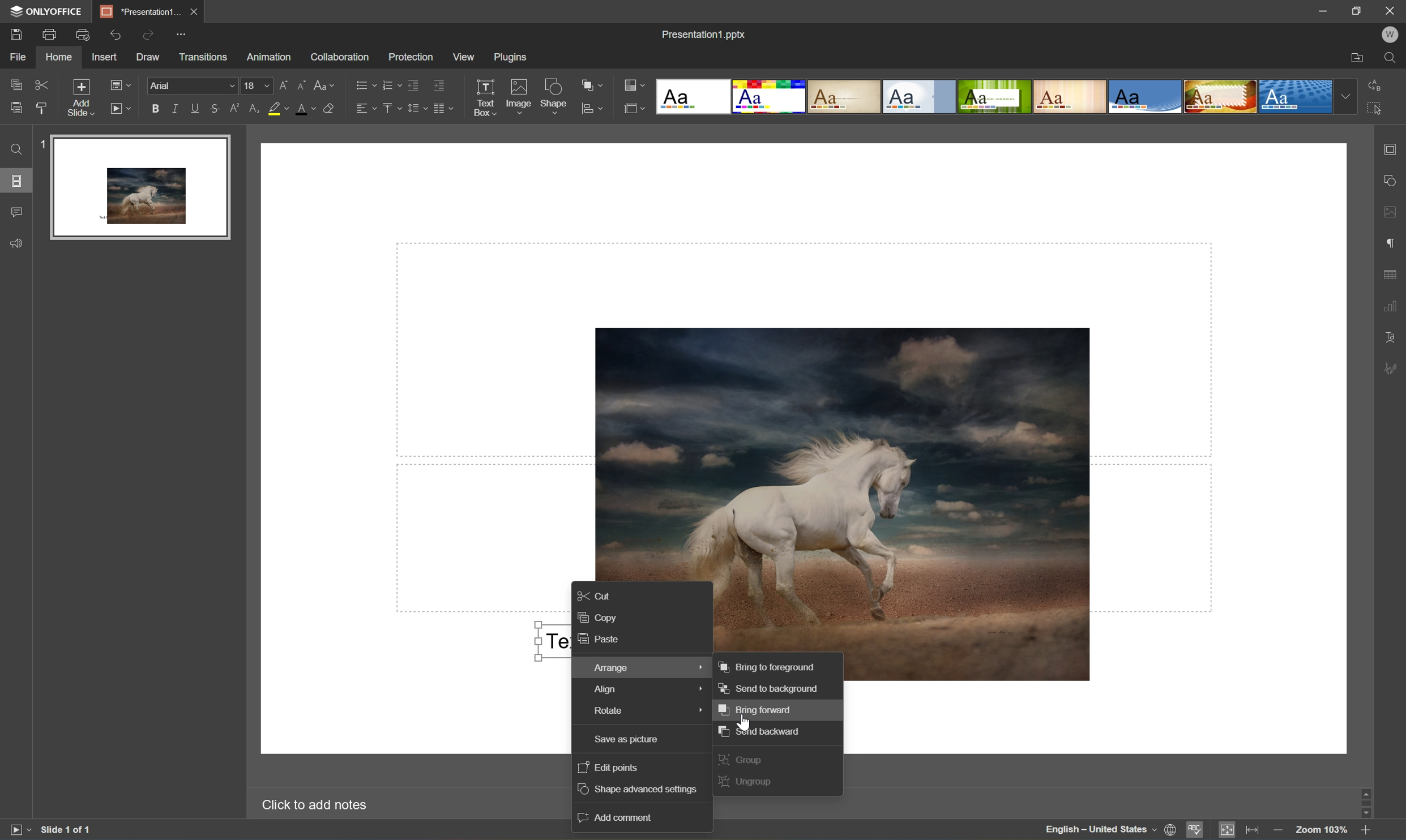 This screenshot has width=1406, height=840. I want to click on Zoom In, so click(1366, 832).